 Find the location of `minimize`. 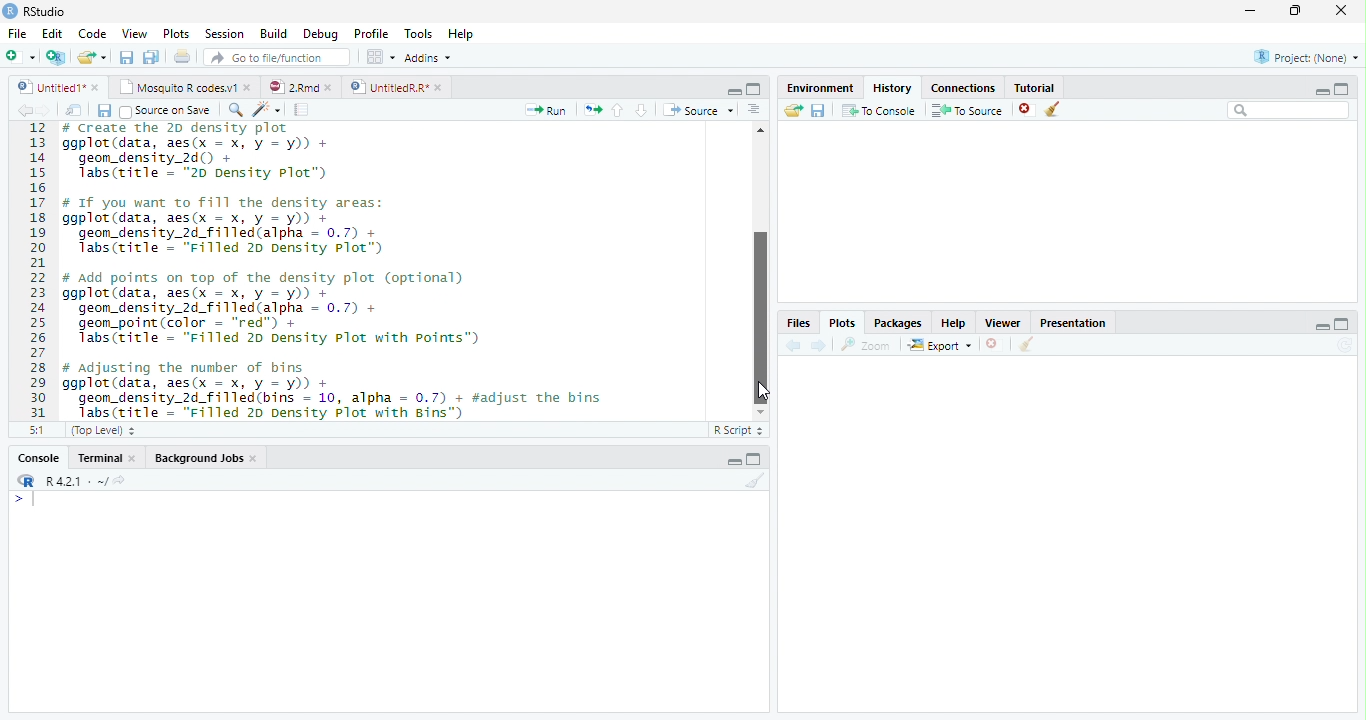

minimize is located at coordinates (735, 92).